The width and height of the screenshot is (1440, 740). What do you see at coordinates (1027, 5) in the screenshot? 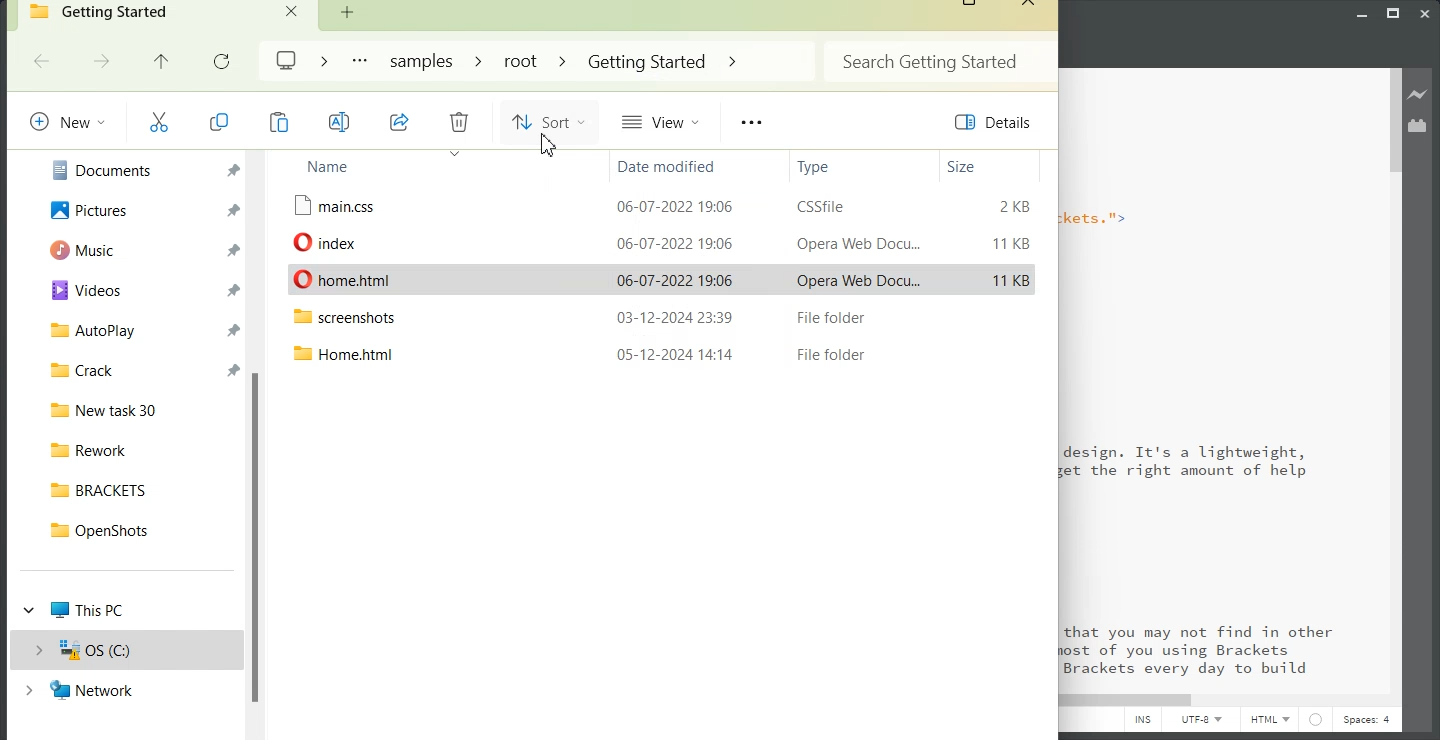
I see `Close` at bounding box center [1027, 5].